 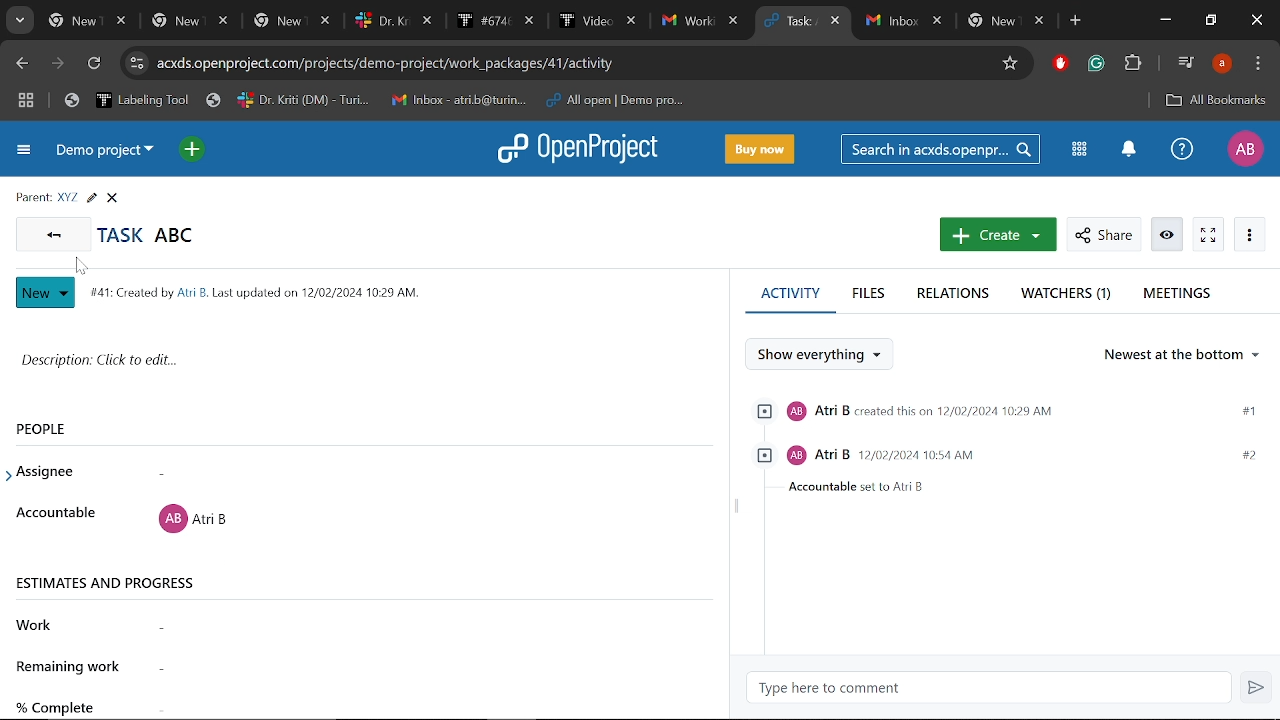 I want to click on Close current tab, so click(x=838, y=23).